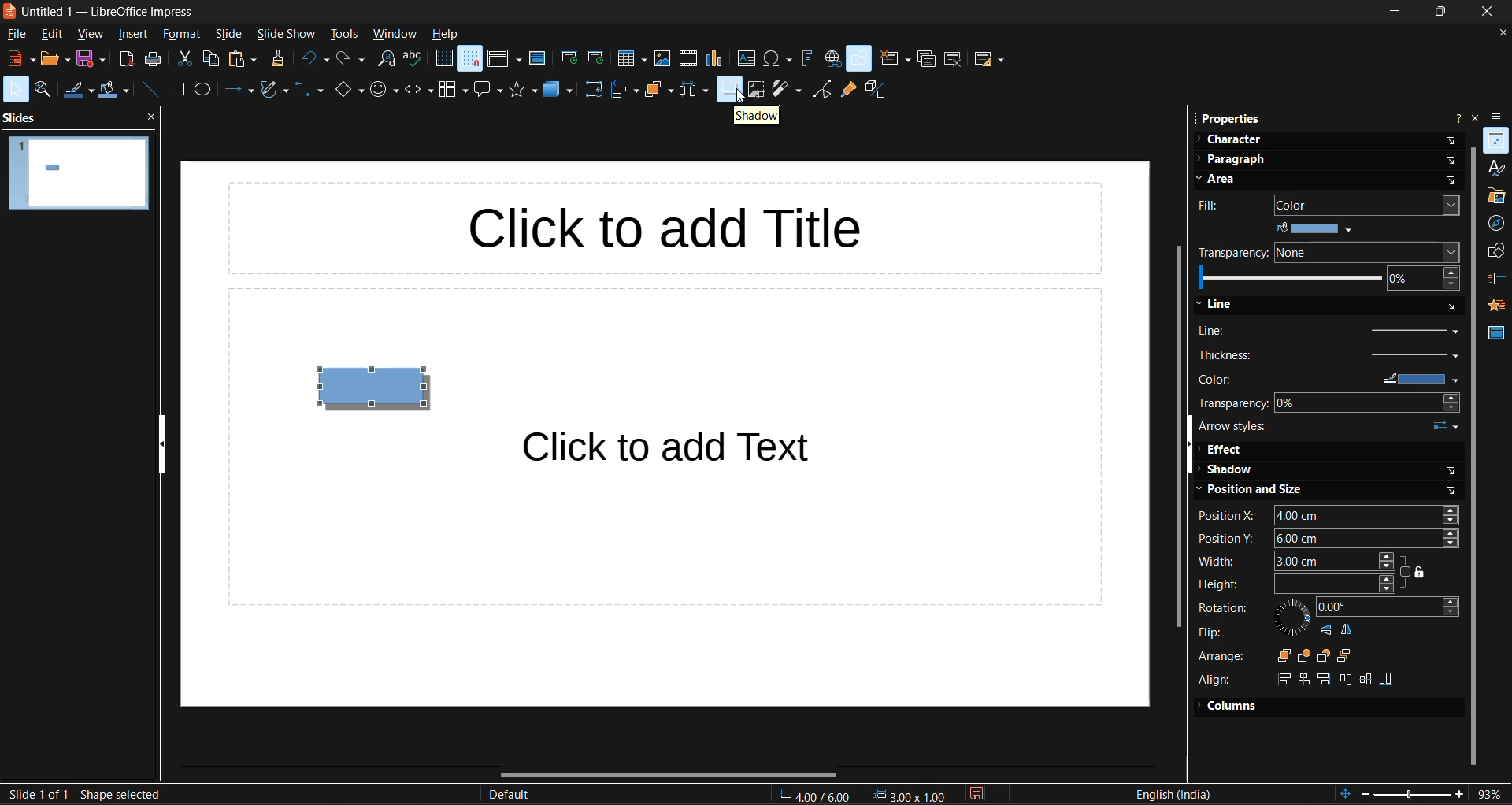  What do you see at coordinates (386, 60) in the screenshot?
I see `find and replace` at bounding box center [386, 60].